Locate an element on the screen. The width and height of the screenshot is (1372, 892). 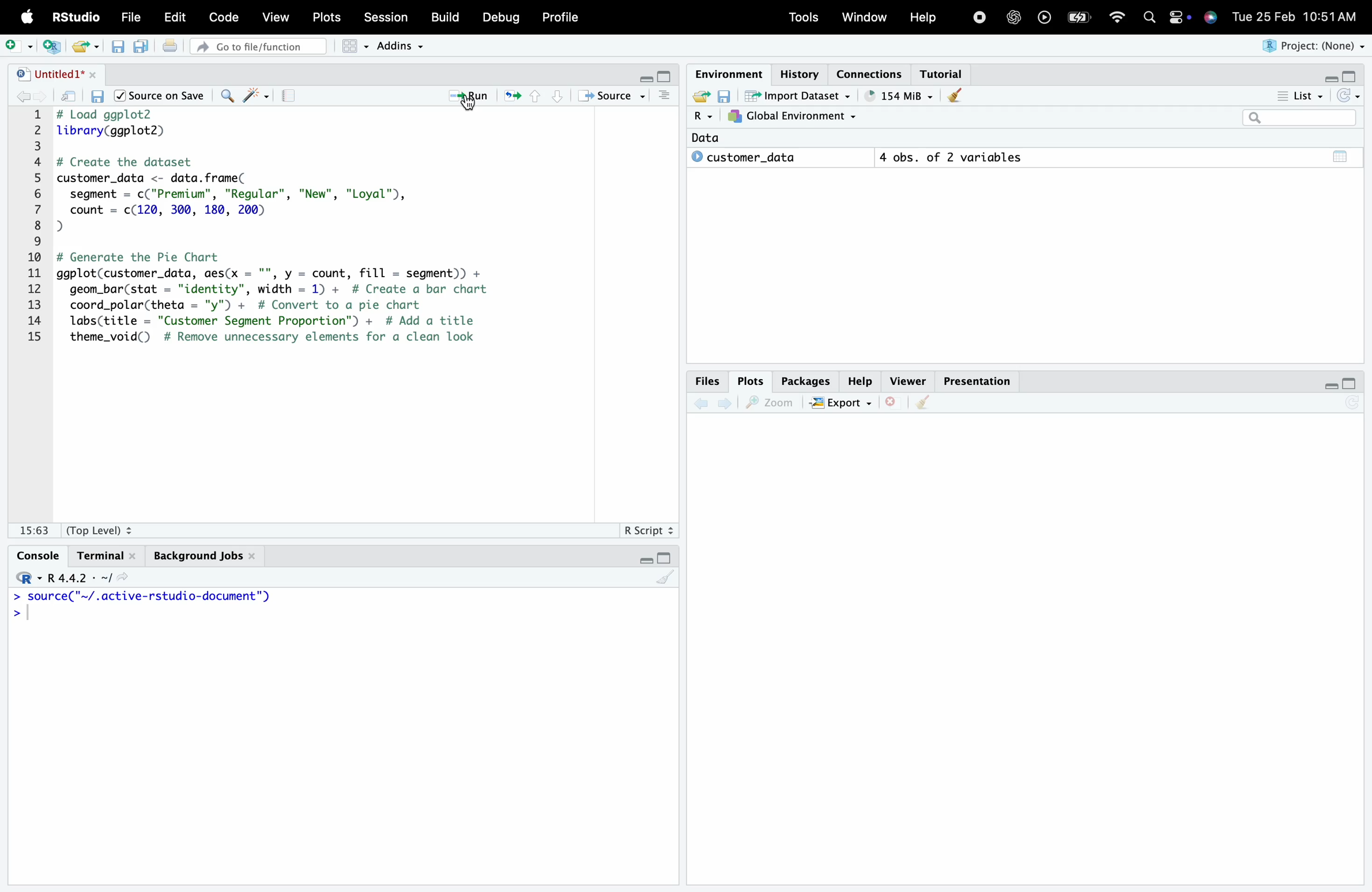
4 obs. of 2 variables is located at coordinates (993, 156).